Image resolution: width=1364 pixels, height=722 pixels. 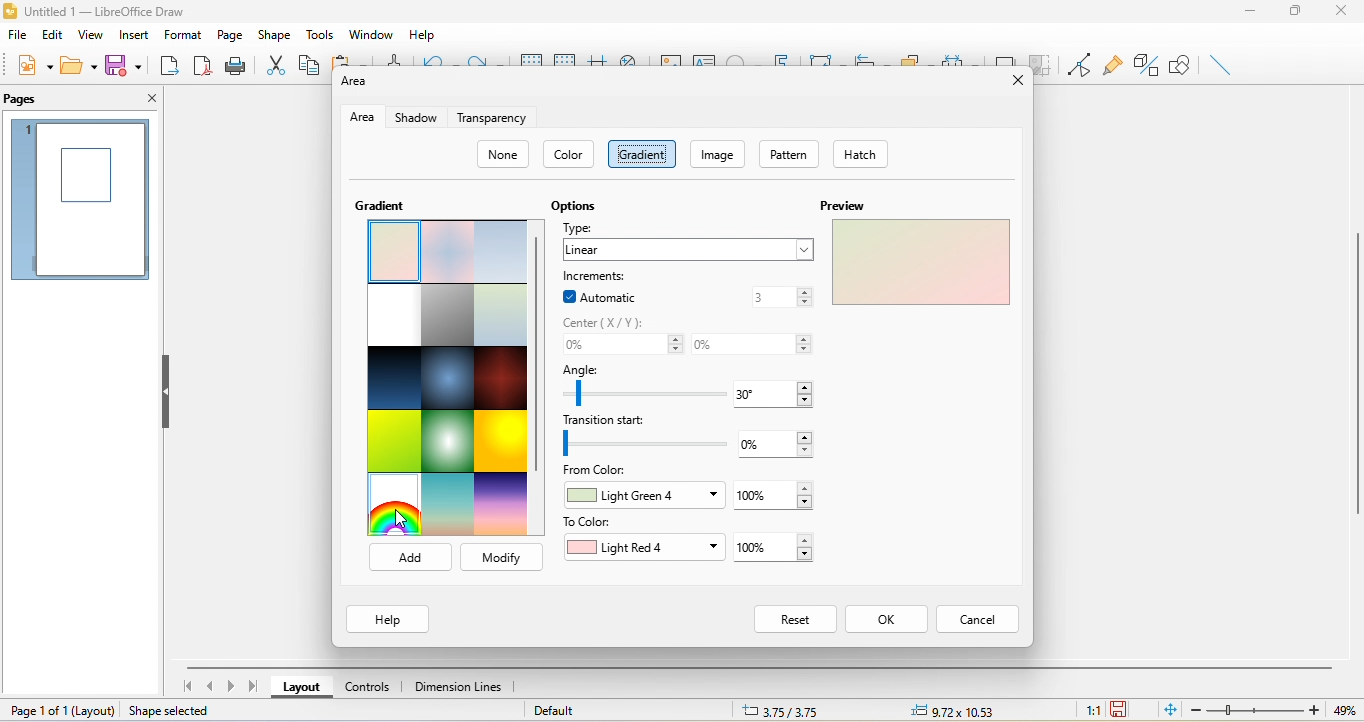 I want to click on light red 4, so click(x=640, y=545).